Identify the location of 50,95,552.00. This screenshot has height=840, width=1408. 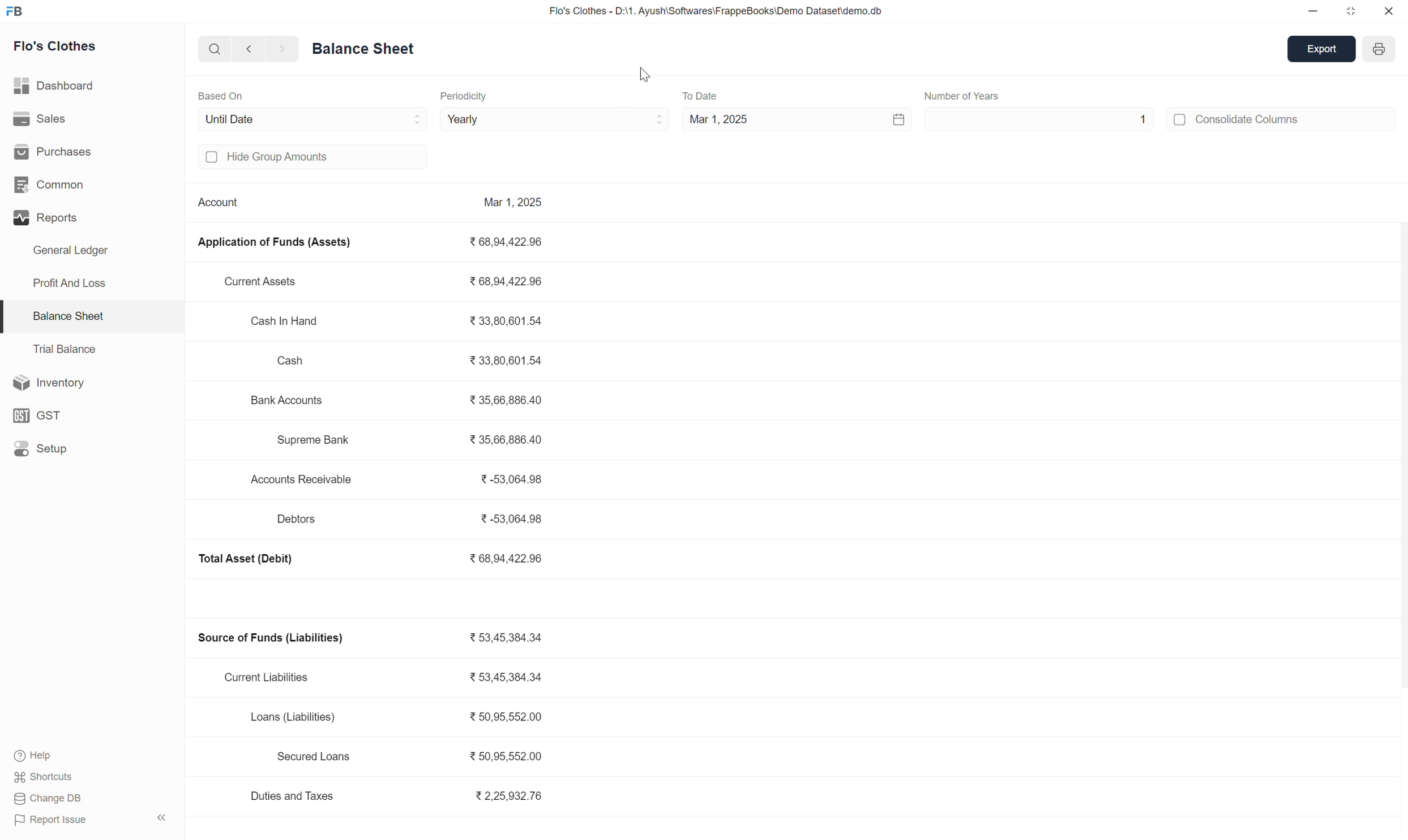
(510, 717).